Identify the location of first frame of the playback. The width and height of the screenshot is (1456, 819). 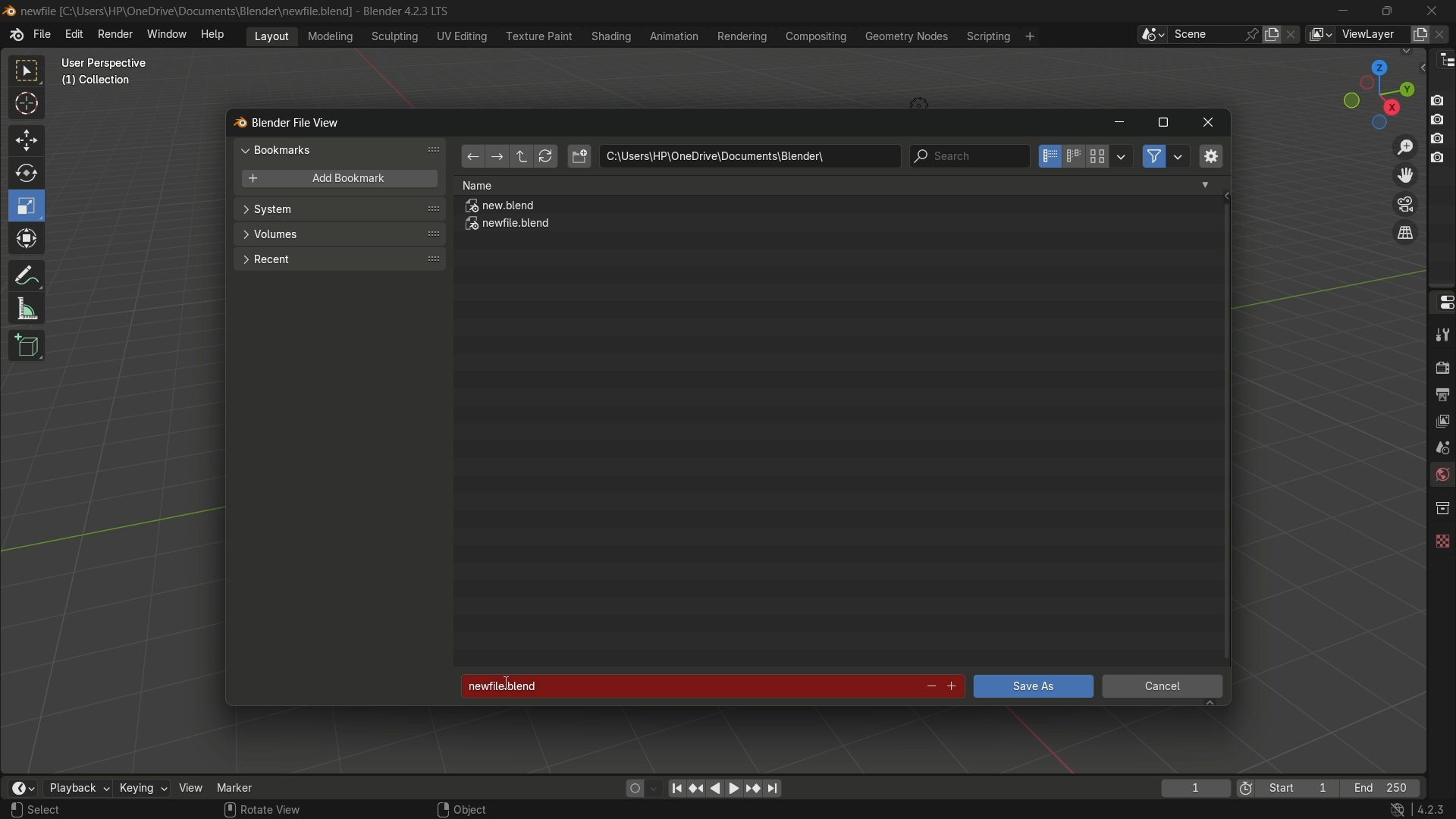
(1288, 788).